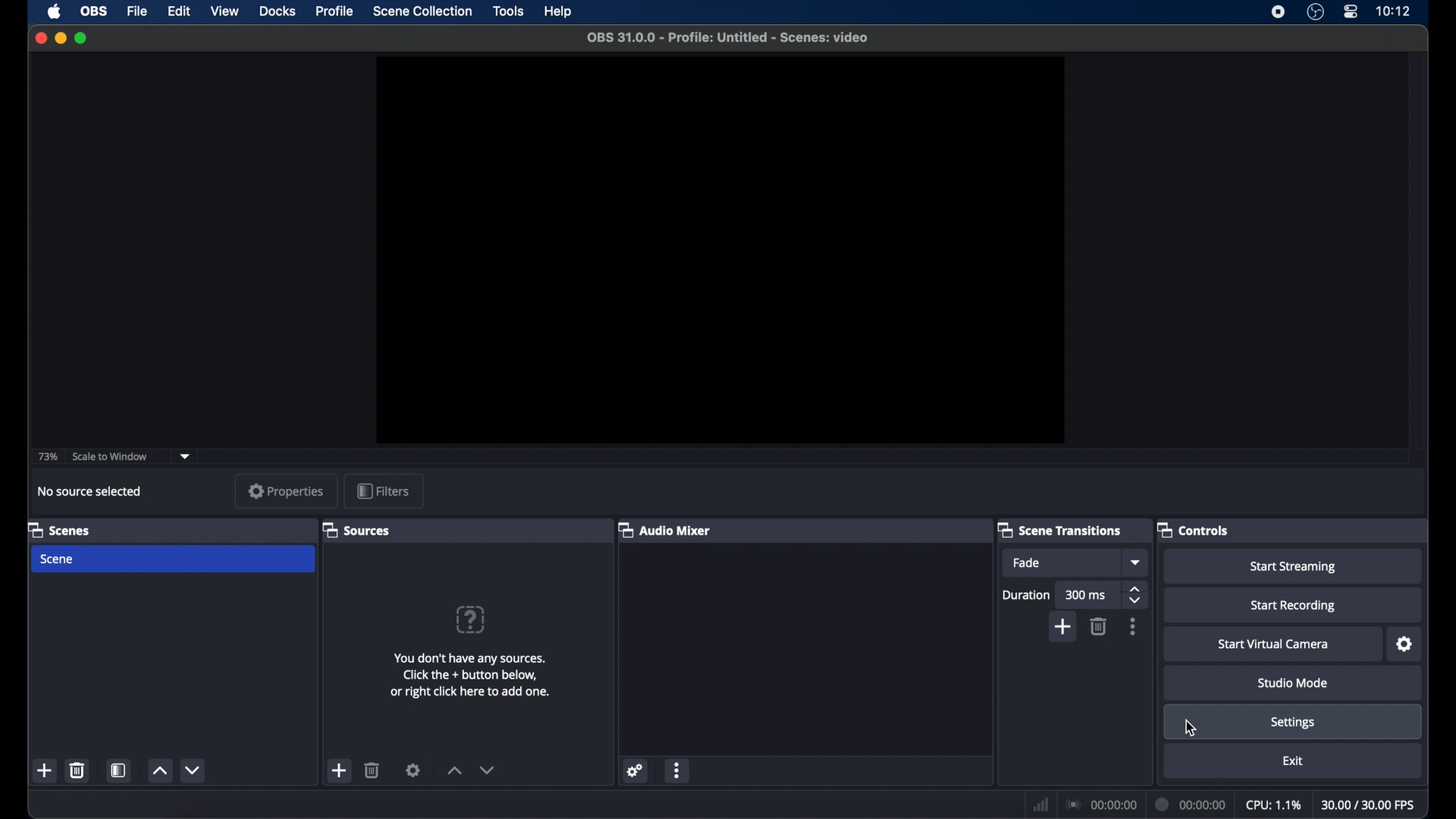 This screenshot has width=1456, height=819. I want to click on decrement, so click(488, 770).